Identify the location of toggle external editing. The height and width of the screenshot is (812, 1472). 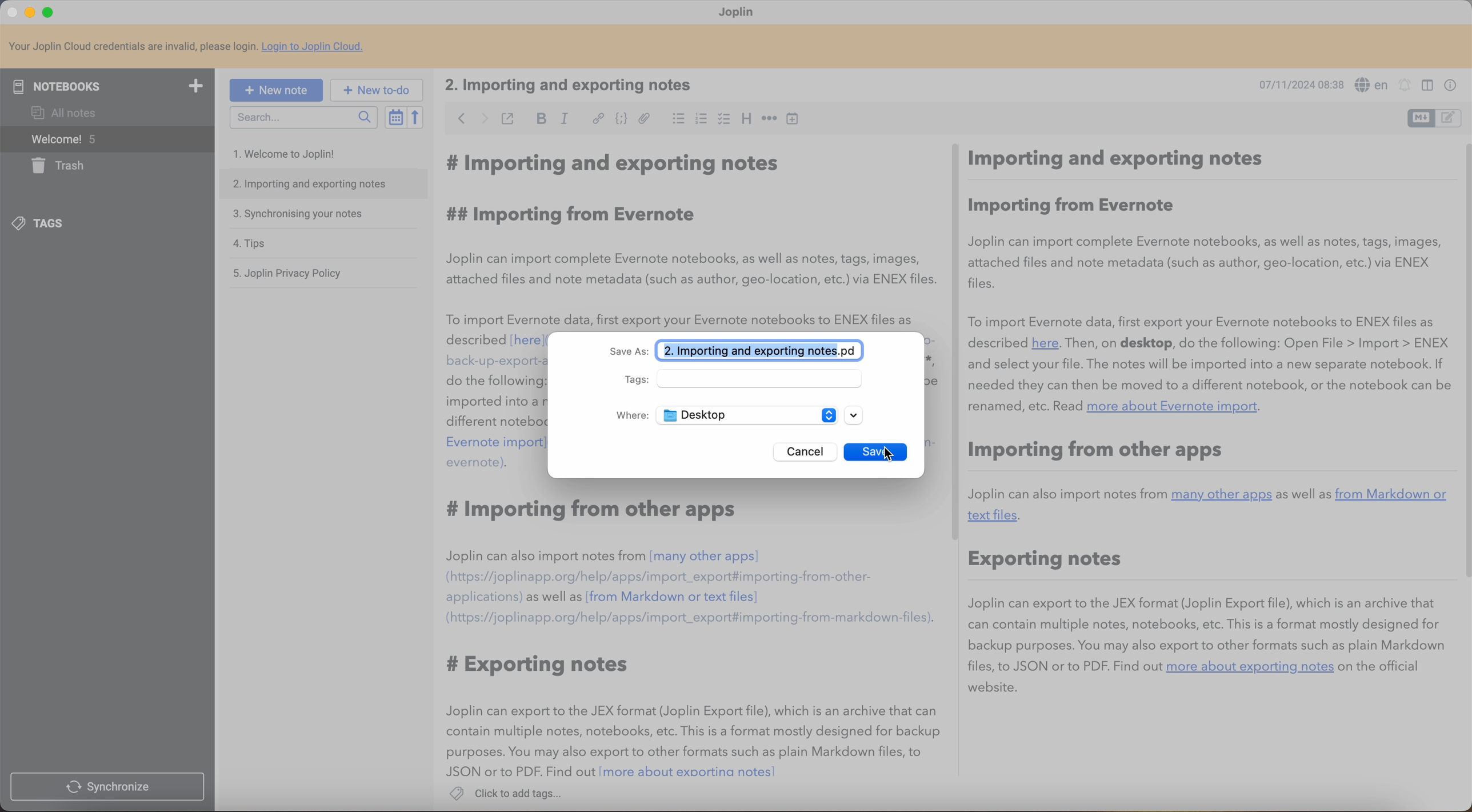
(508, 118).